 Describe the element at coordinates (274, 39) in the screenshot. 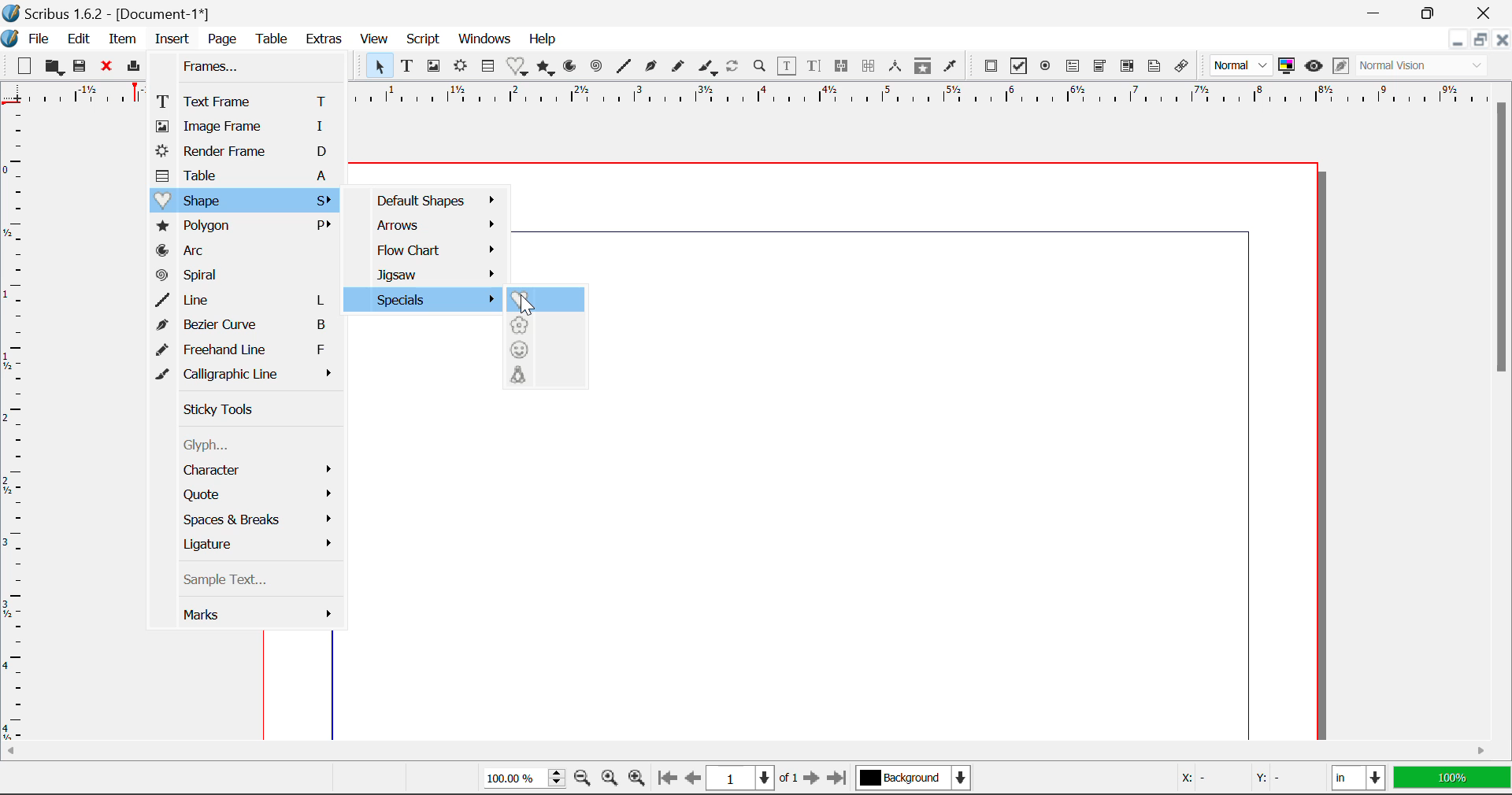

I see `Table` at that location.